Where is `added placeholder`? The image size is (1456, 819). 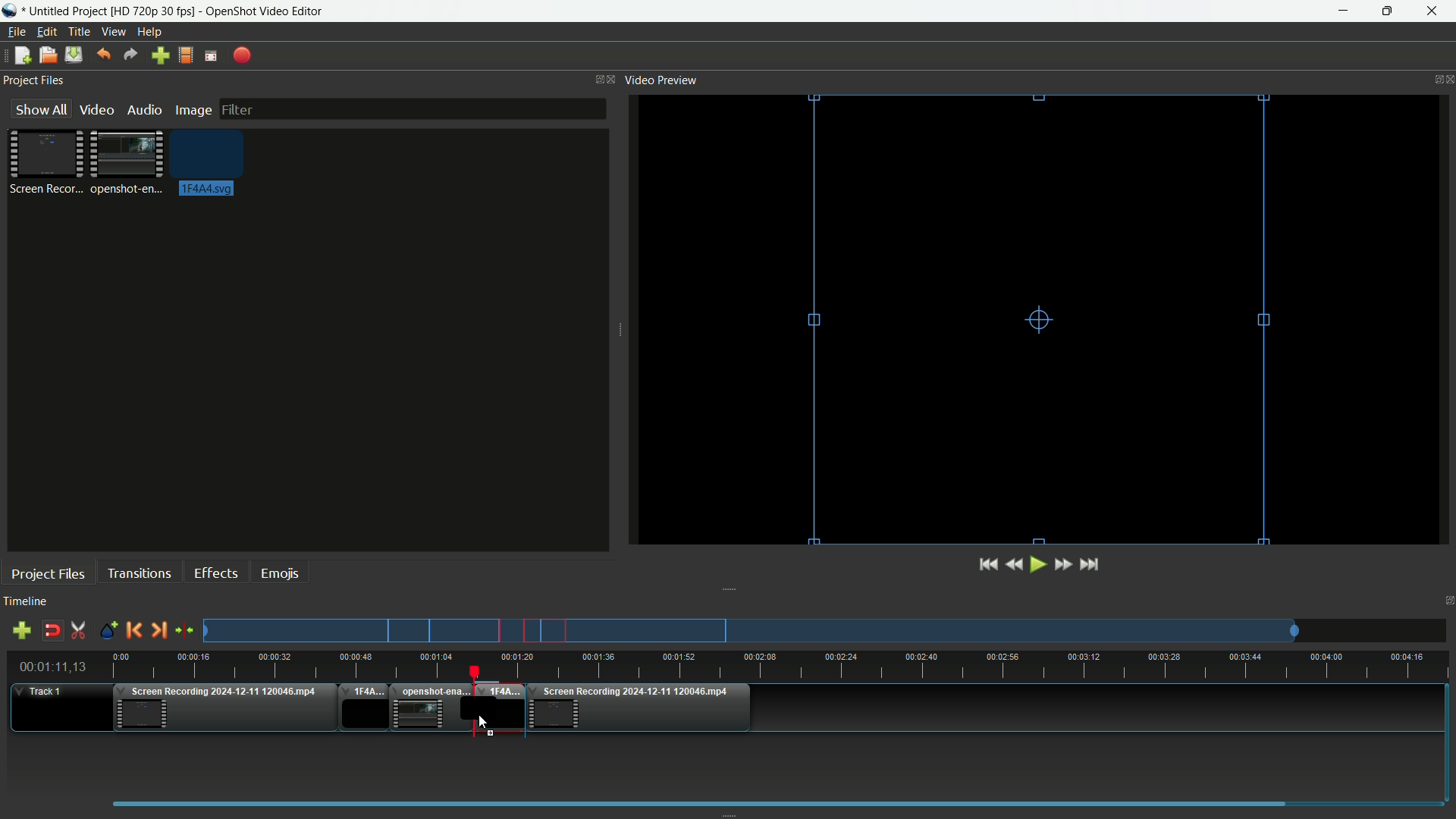 added placeholder is located at coordinates (497, 708).